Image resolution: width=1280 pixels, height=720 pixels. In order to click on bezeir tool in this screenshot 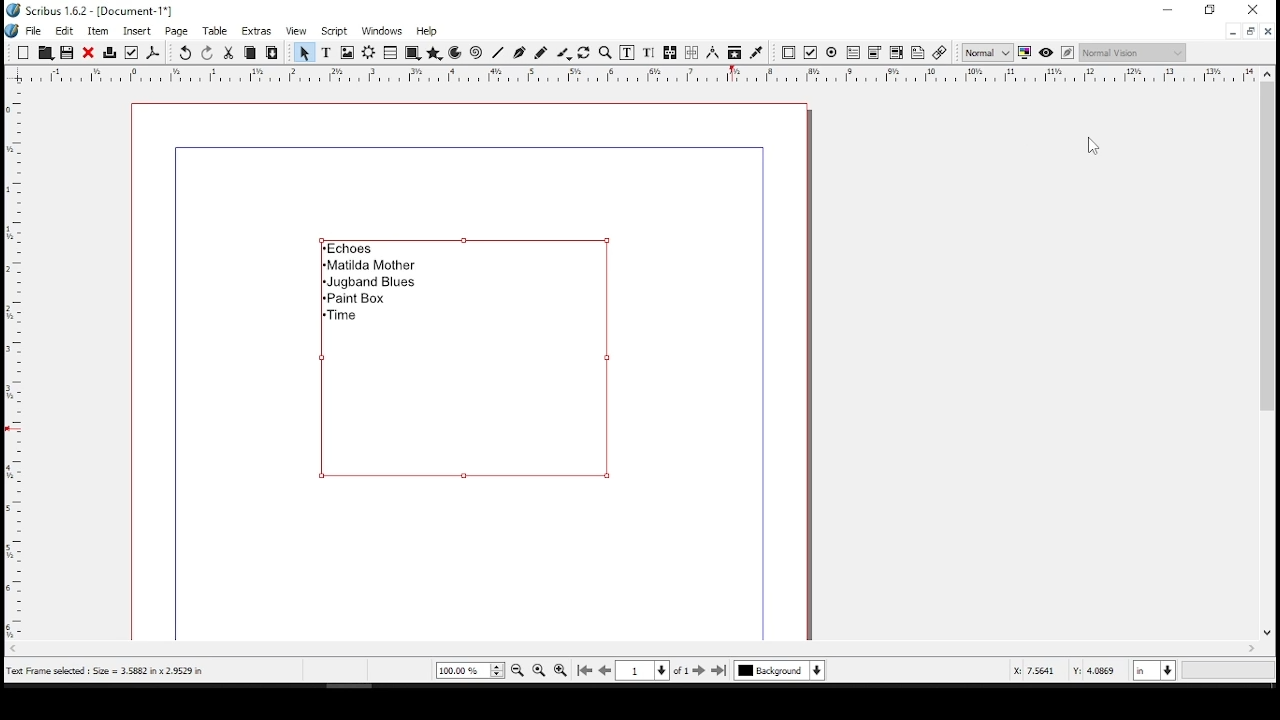, I will do `click(520, 54)`.